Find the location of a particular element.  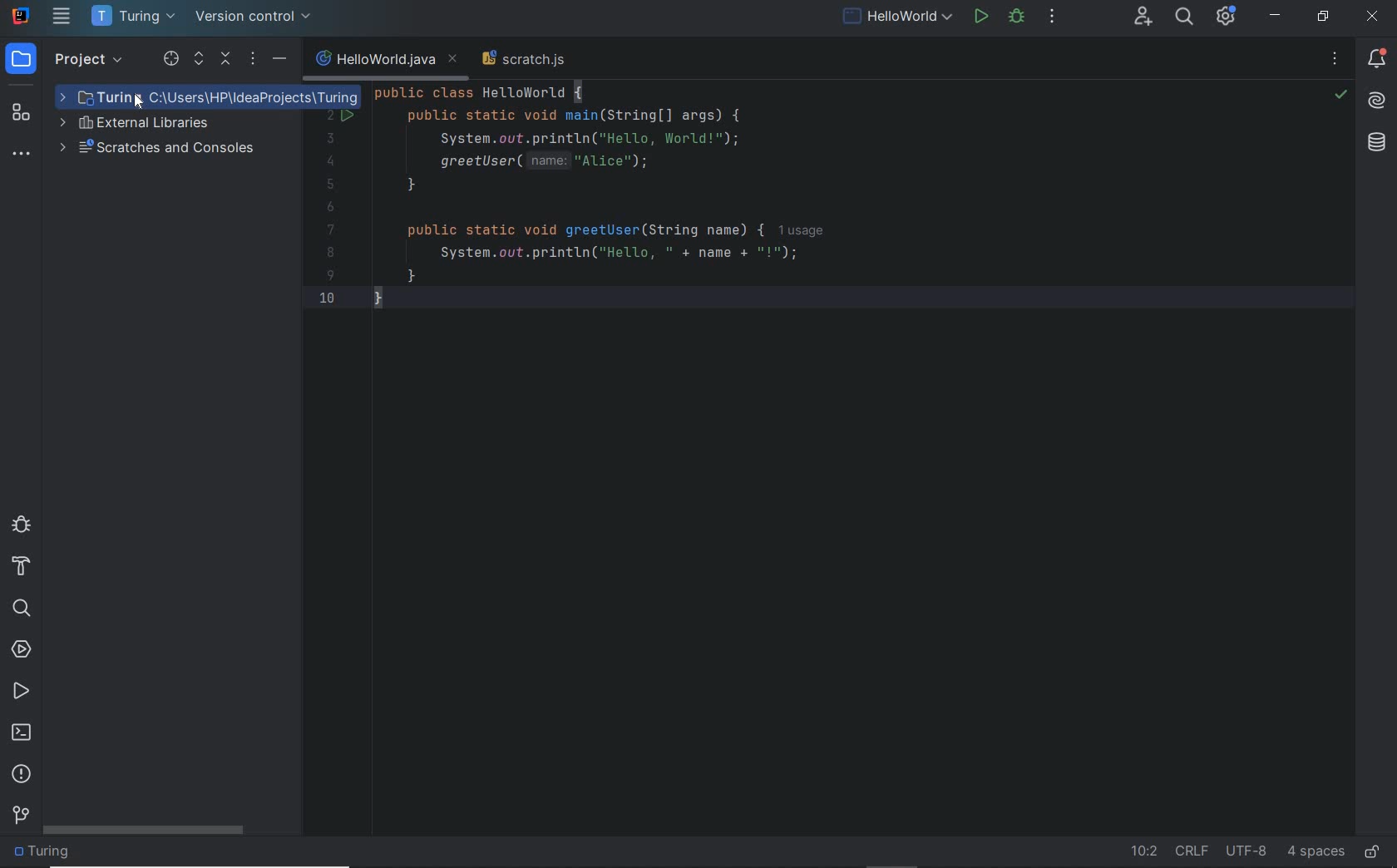

RESTORE DOWN is located at coordinates (1324, 16).